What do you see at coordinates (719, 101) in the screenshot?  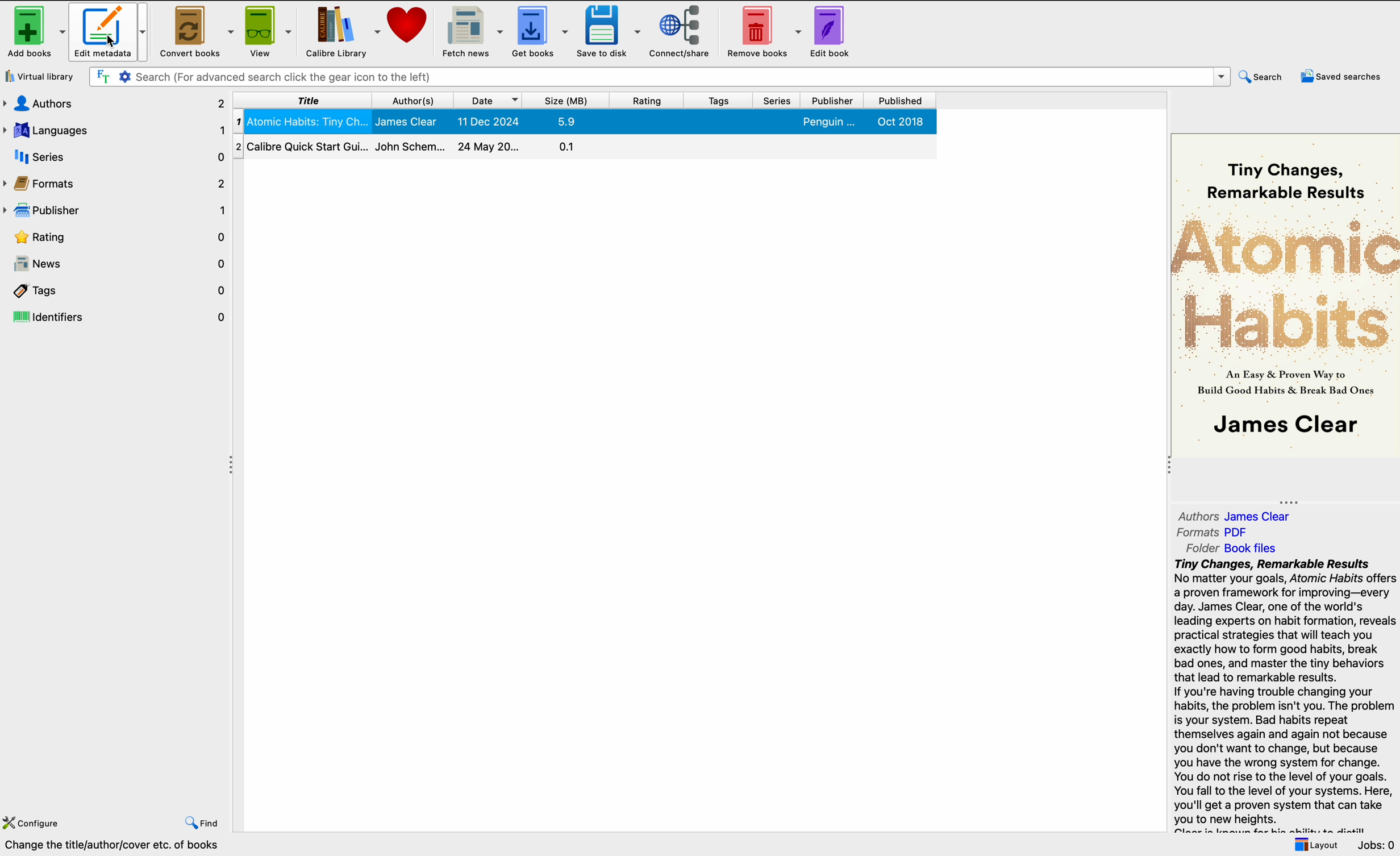 I see `tags` at bounding box center [719, 101].